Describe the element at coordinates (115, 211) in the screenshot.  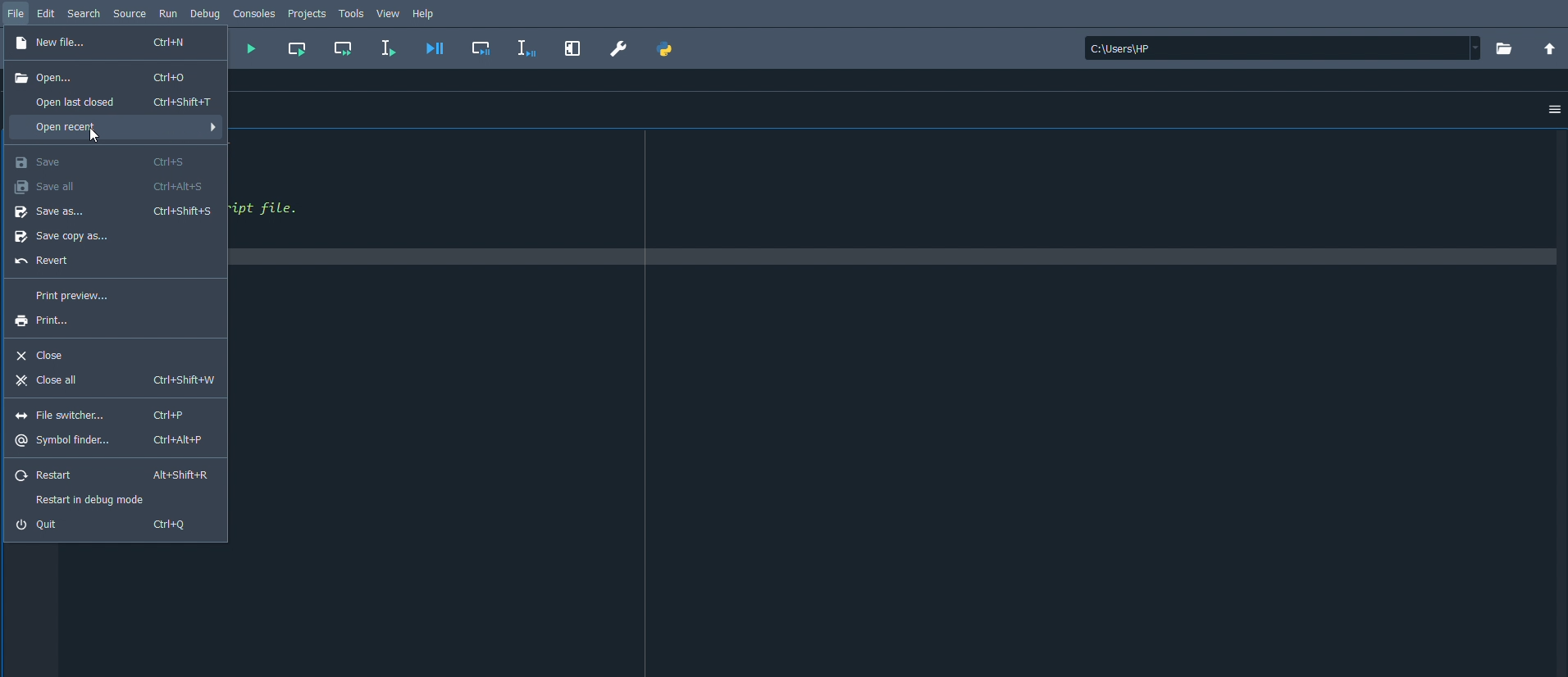
I see `Save as` at that location.